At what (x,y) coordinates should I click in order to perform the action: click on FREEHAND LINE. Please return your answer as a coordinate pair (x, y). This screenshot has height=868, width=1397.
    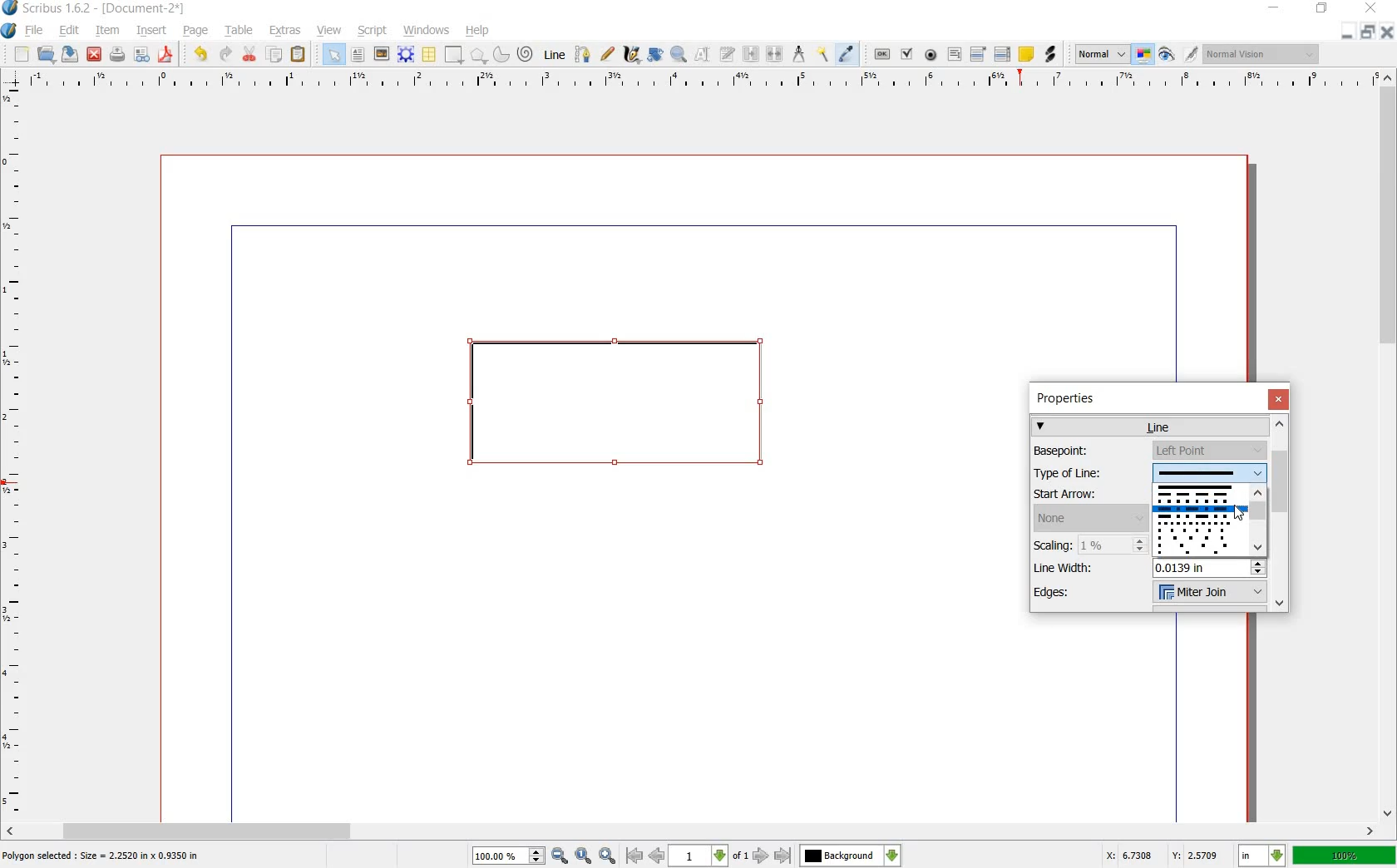
    Looking at the image, I should click on (608, 55).